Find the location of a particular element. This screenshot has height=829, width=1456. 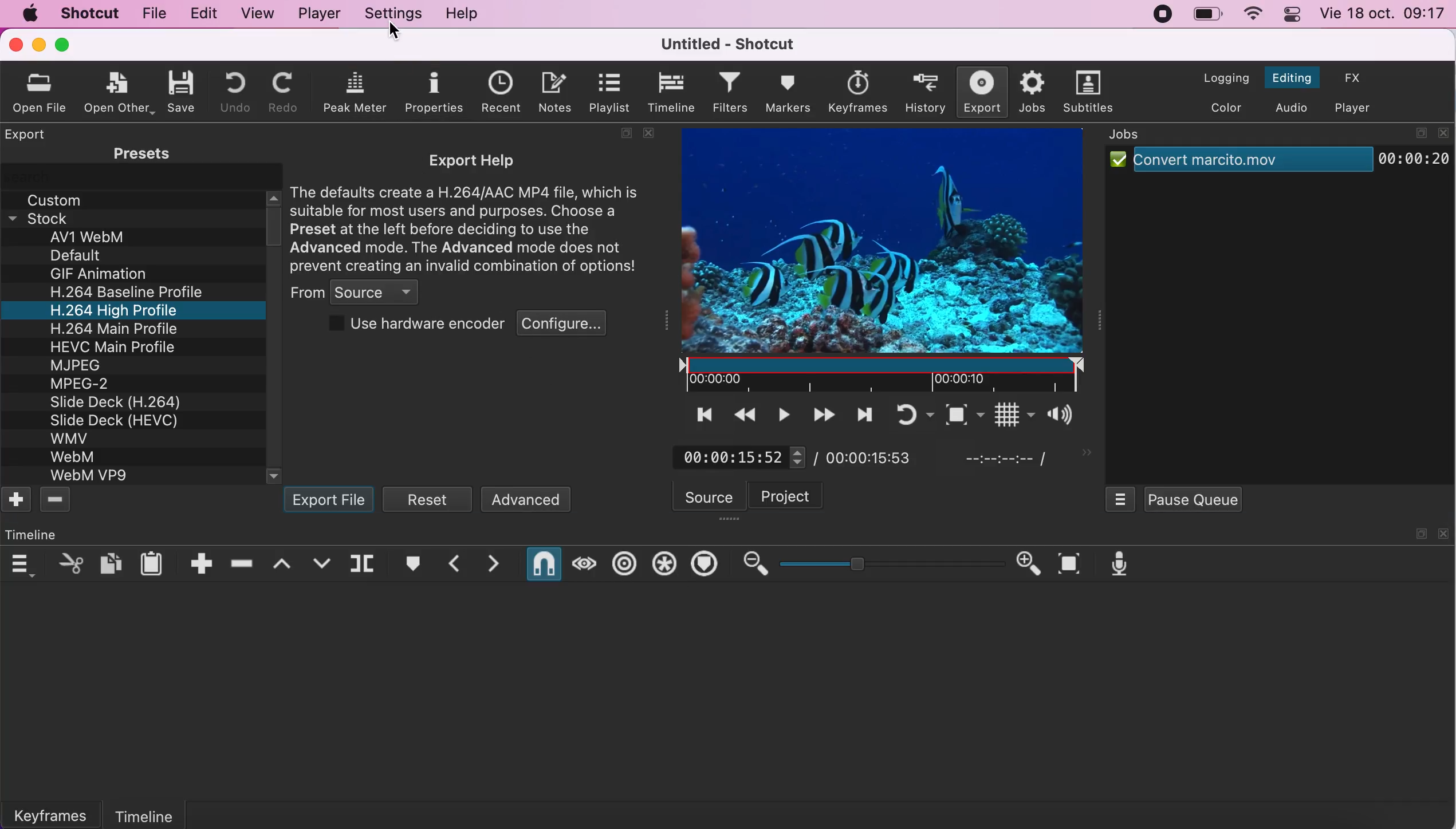

toggle player looping is located at coordinates (902, 414).